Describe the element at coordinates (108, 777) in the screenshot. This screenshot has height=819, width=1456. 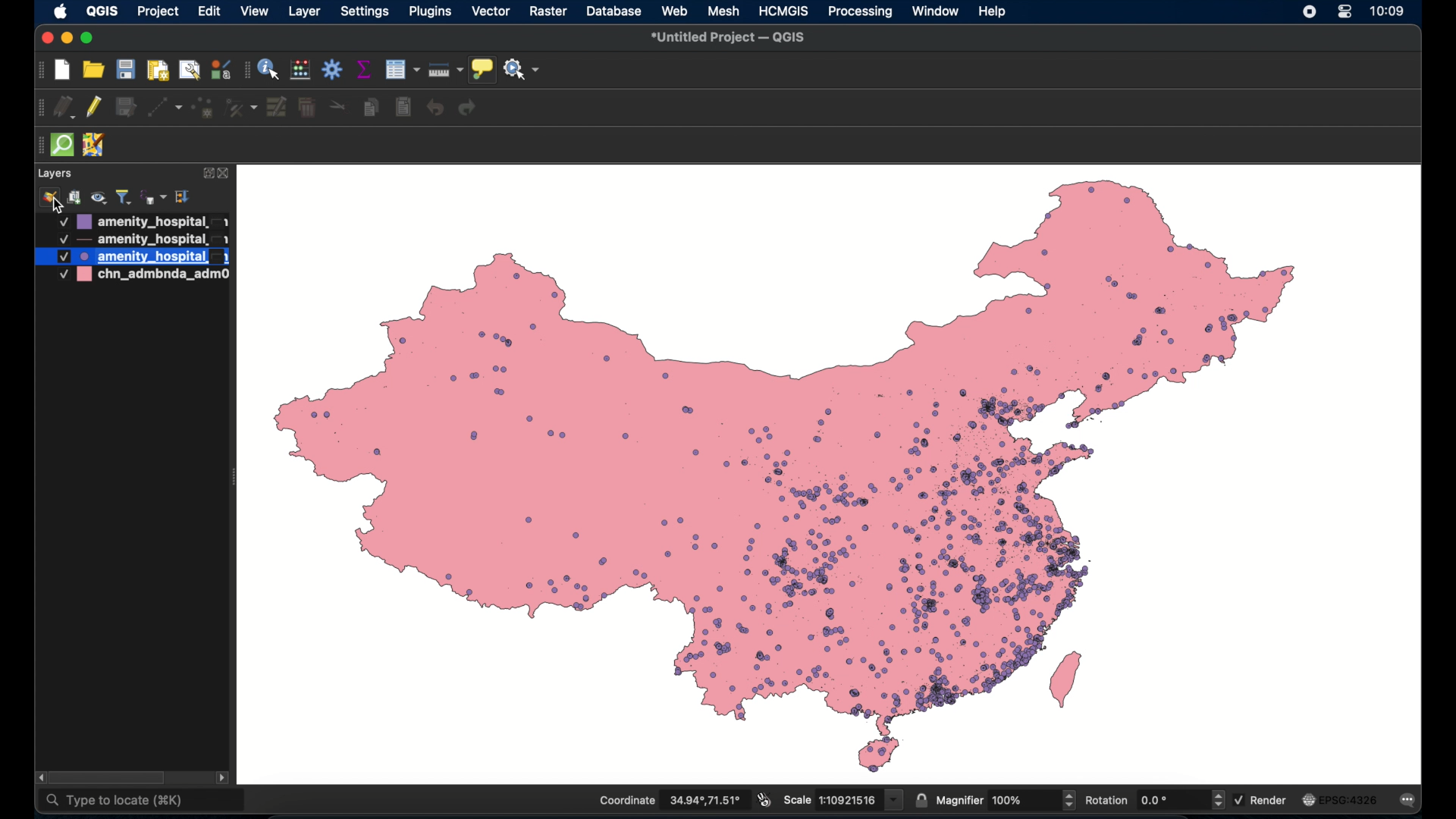
I see `` at that location.